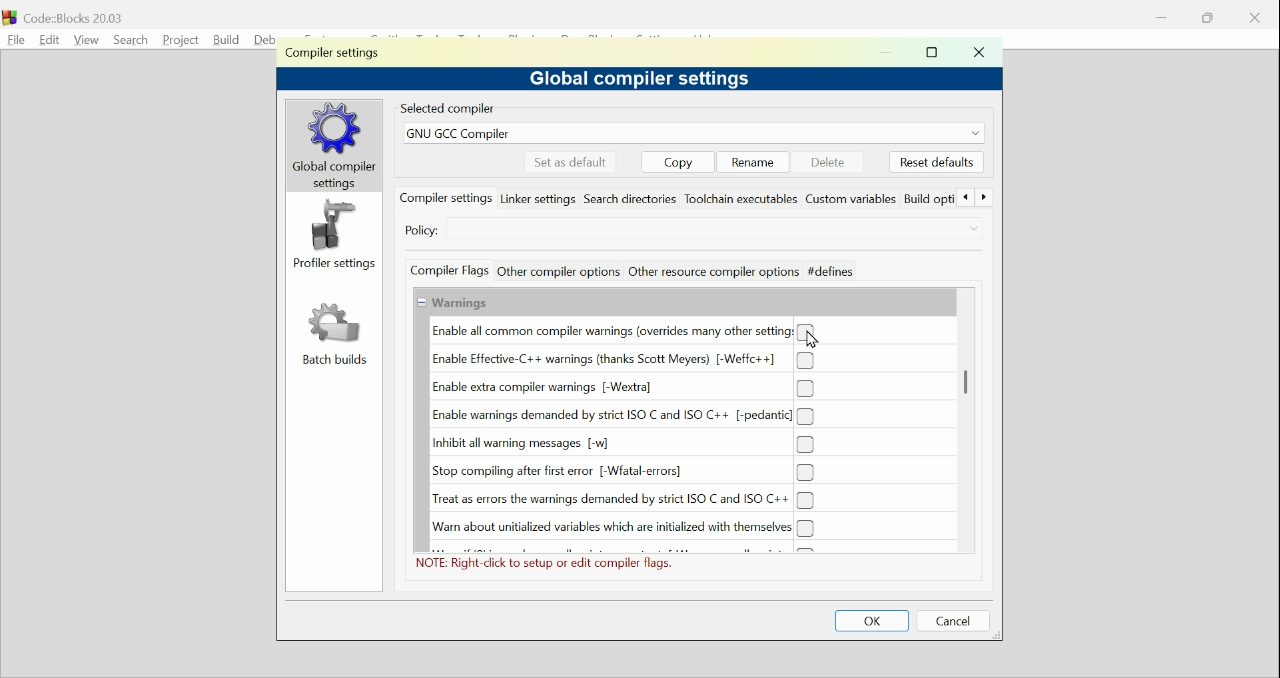 The image size is (1280, 678). I want to click on maximise, so click(935, 54).